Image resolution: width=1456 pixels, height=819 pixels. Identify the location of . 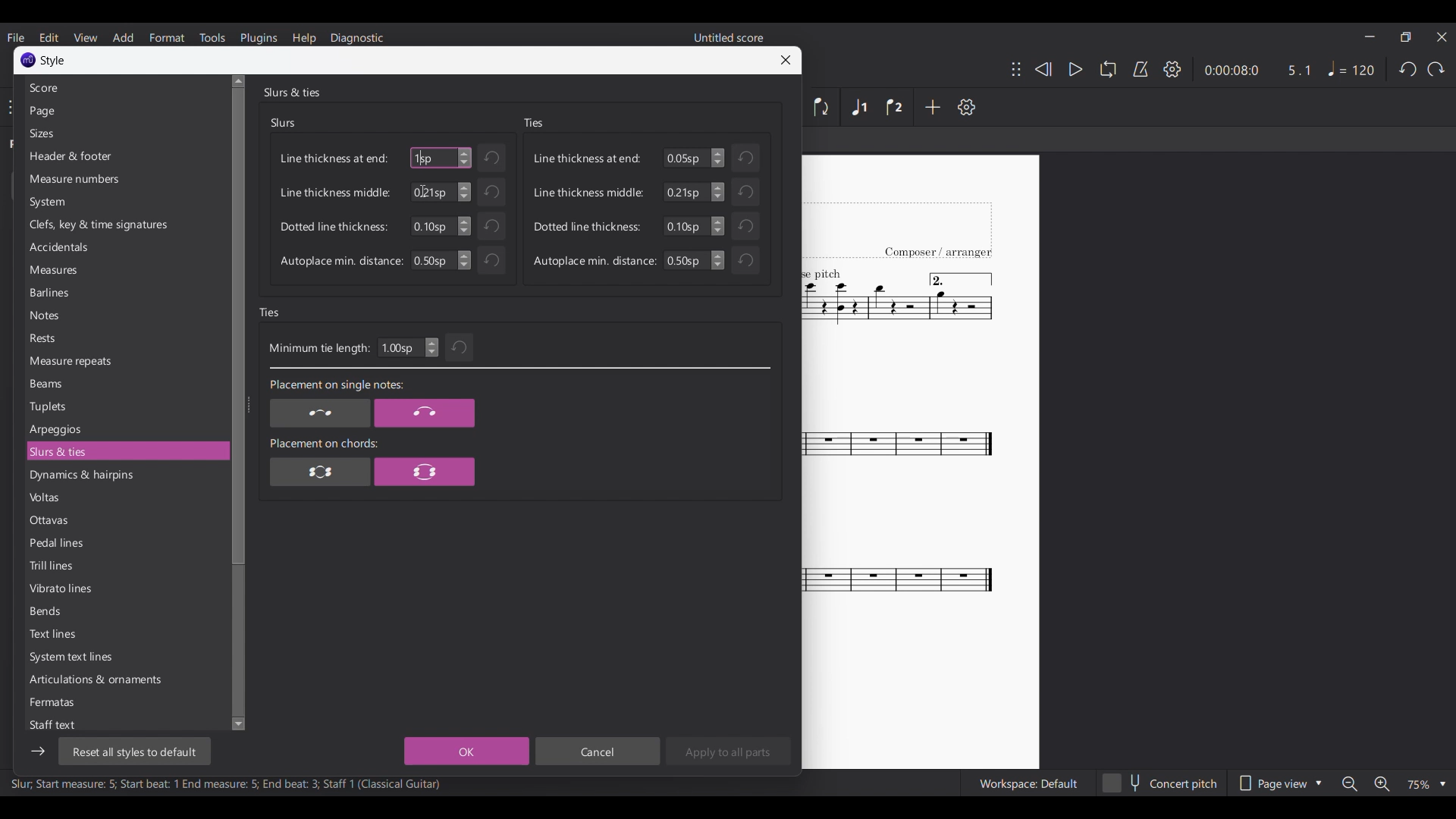
(431, 260).